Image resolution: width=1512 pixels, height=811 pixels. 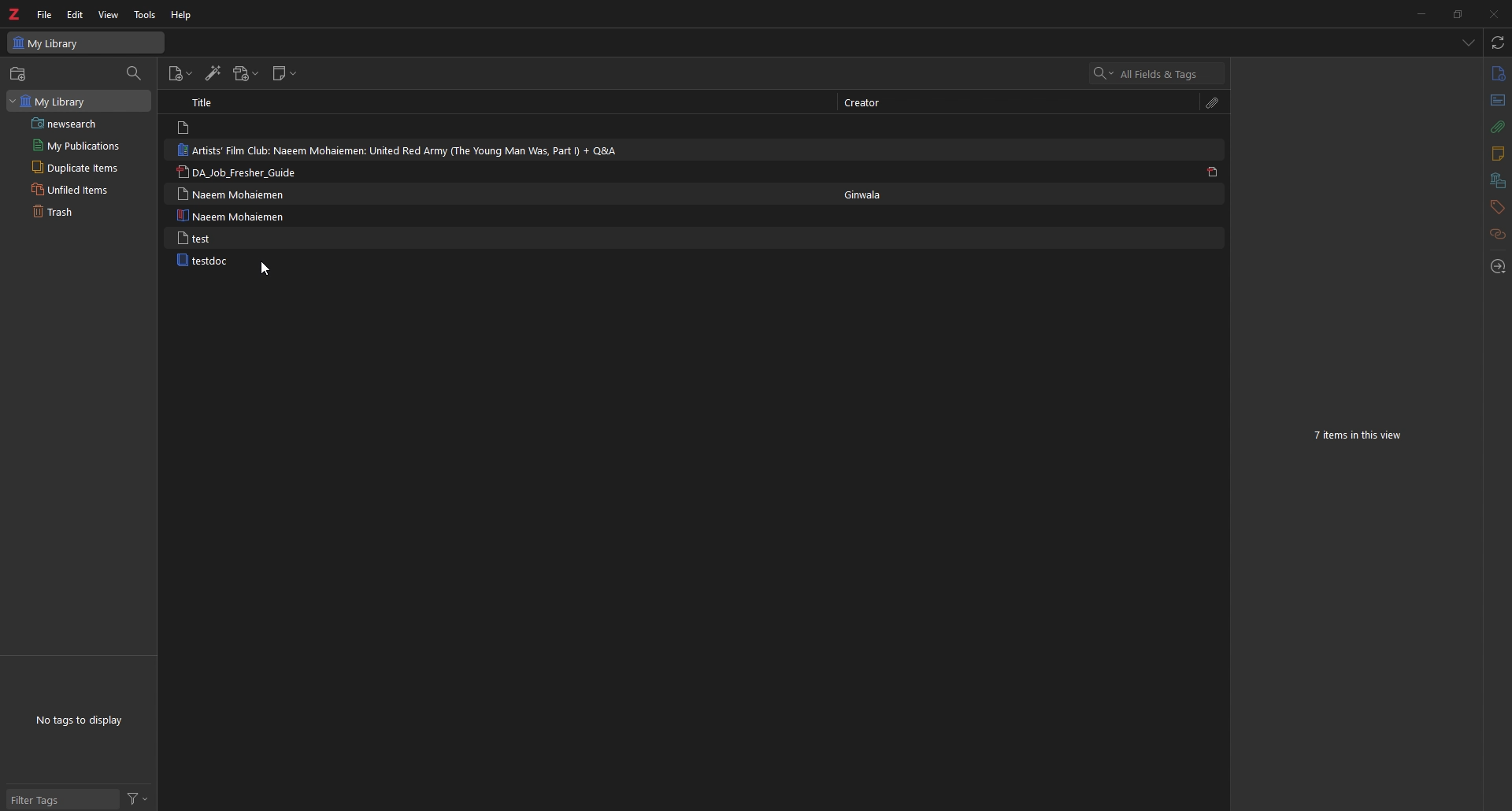 What do you see at coordinates (1213, 172) in the screenshot?
I see `pdf` at bounding box center [1213, 172].